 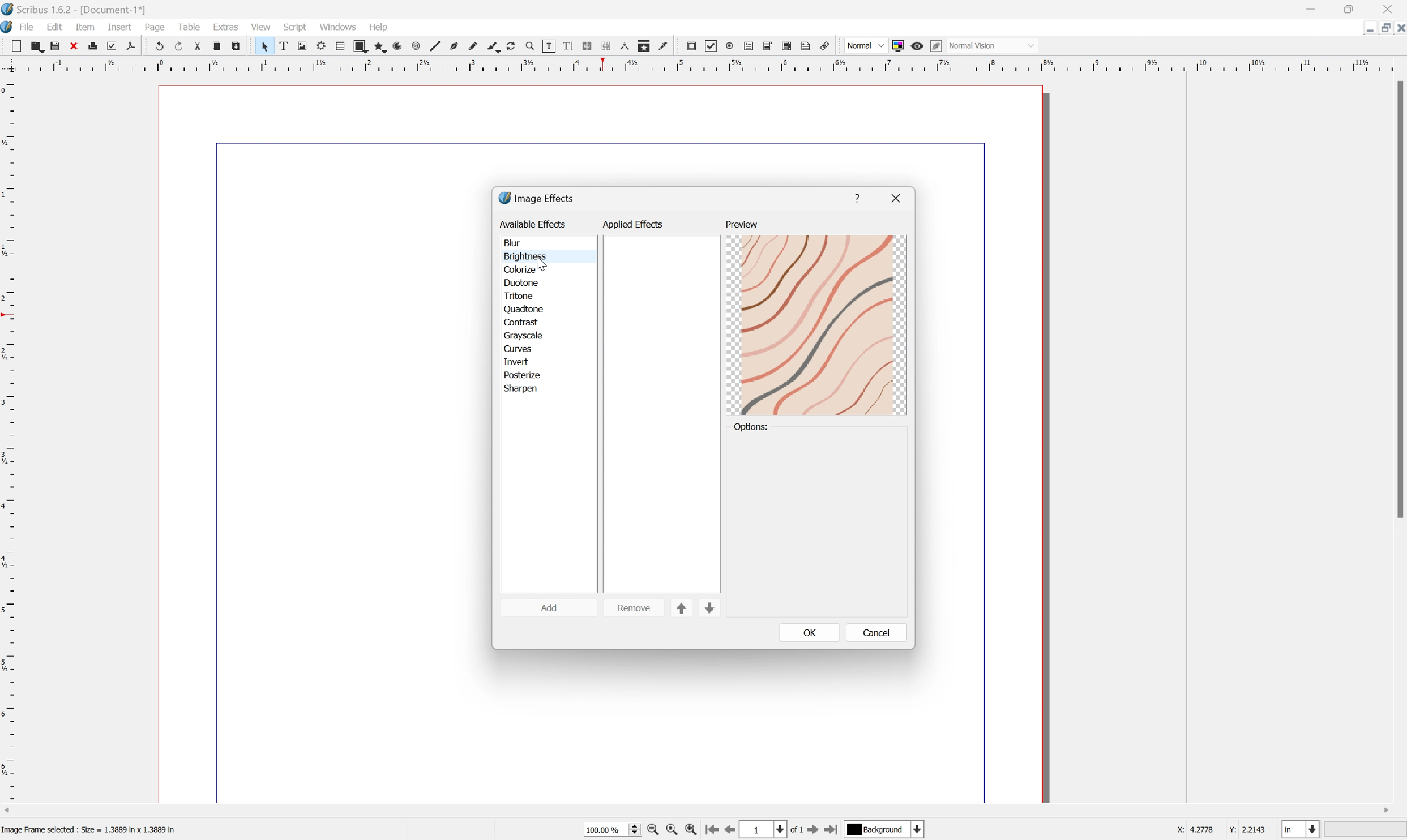 What do you see at coordinates (523, 307) in the screenshot?
I see `quadtone` at bounding box center [523, 307].